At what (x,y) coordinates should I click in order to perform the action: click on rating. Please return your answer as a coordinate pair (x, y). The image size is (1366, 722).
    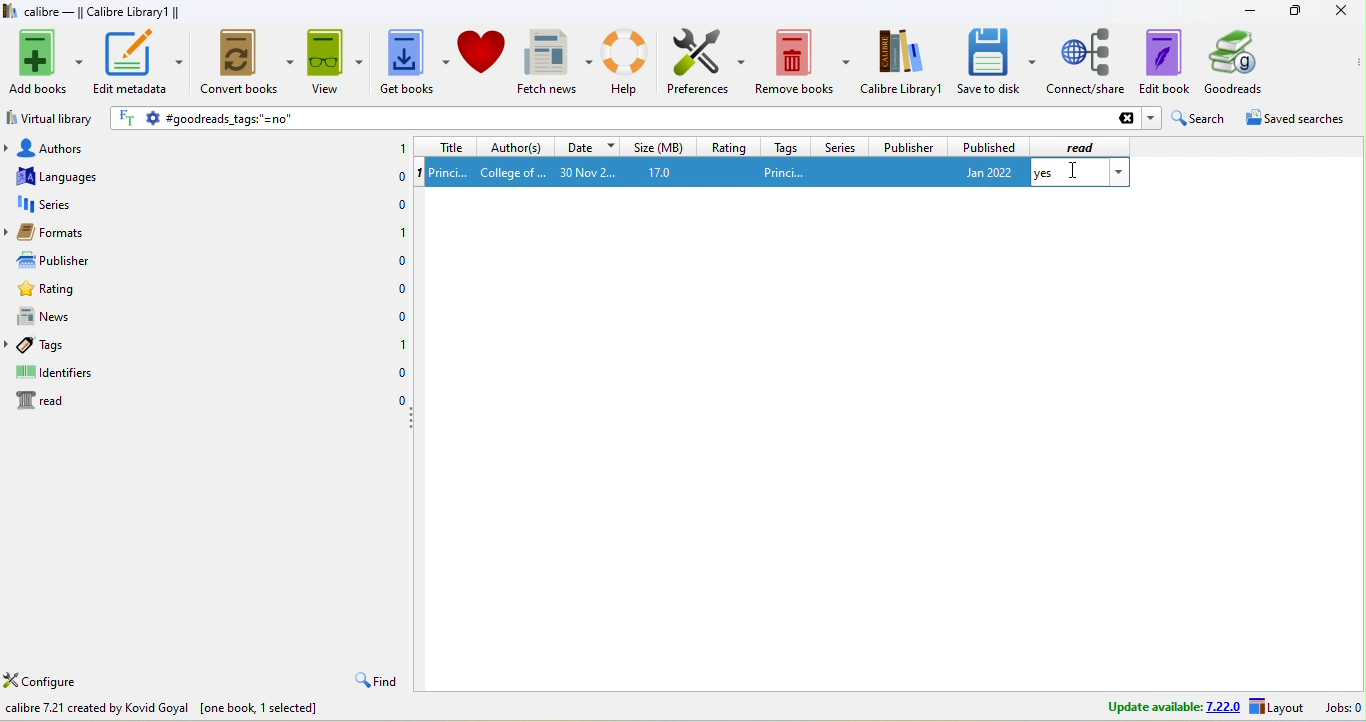
    Looking at the image, I should click on (728, 146).